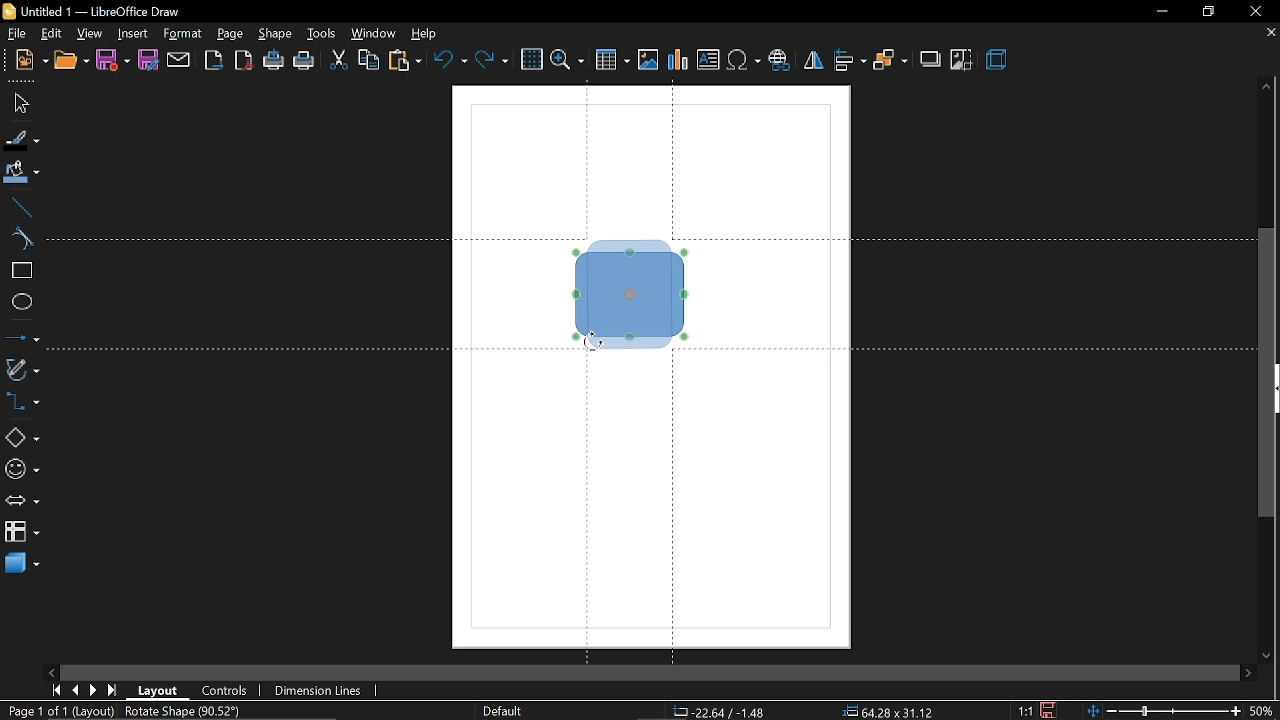  I want to click on export as pdf, so click(245, 59).